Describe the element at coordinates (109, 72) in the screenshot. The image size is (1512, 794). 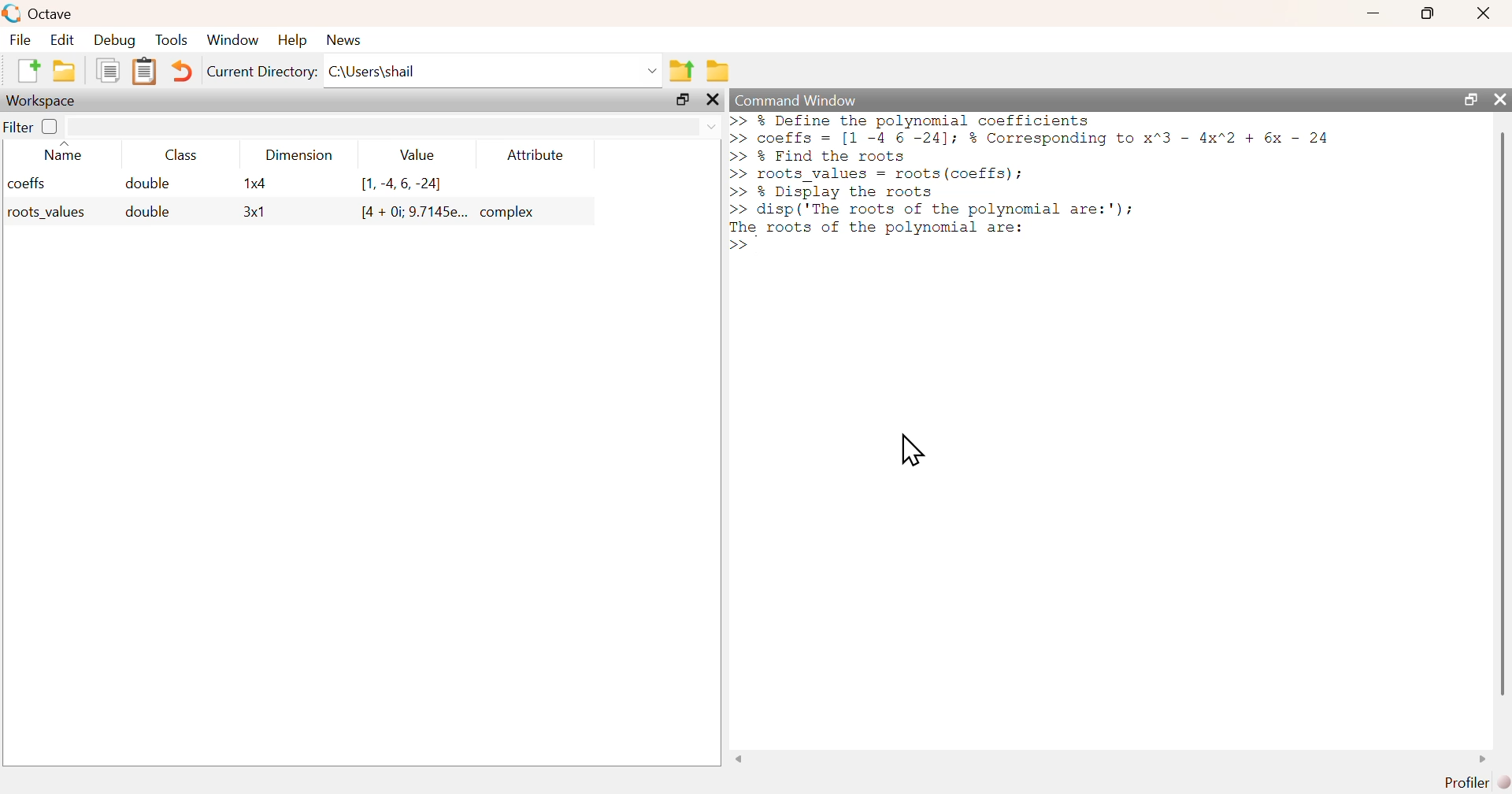
I see `Duplicate` at that location.